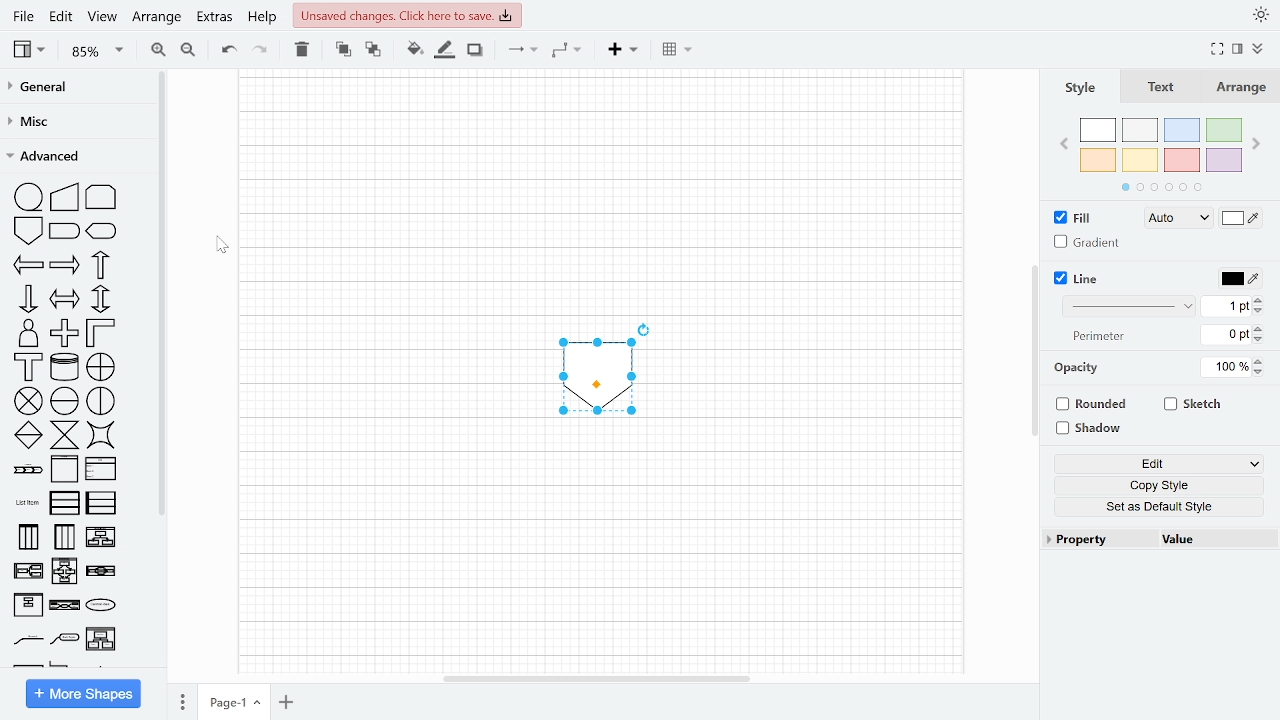 This screenshot has width=1280, height=720. Describe the element at coordinates (1165, 187) in the screenshot. I see `pages in color` at that location.